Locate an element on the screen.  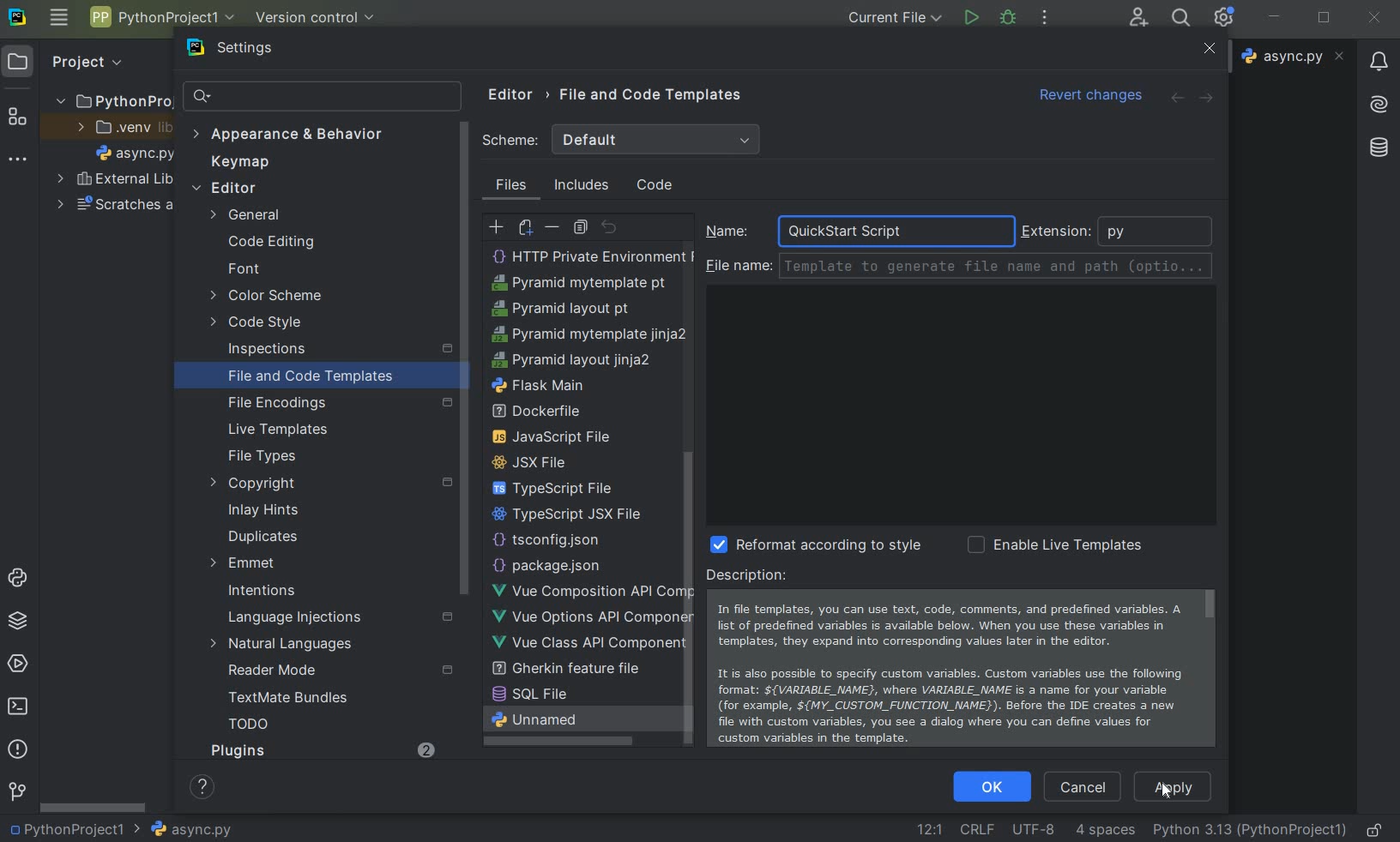
settings is located at coordinates (251, 48).